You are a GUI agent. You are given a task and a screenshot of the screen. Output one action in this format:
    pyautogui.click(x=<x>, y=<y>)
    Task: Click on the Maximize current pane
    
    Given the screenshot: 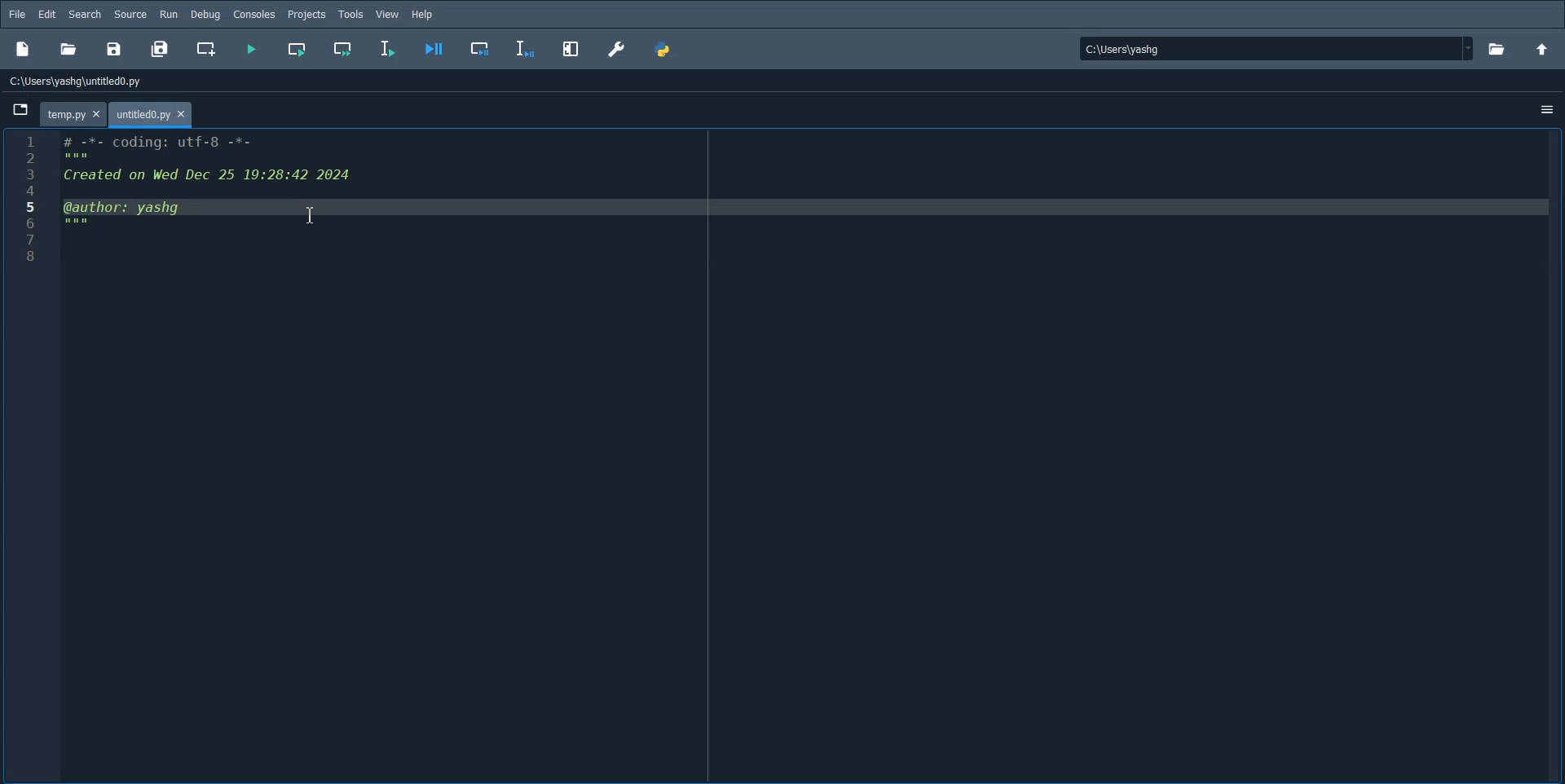 What is the action you would take?
    pyautogui.click(x=572, y=51)
    